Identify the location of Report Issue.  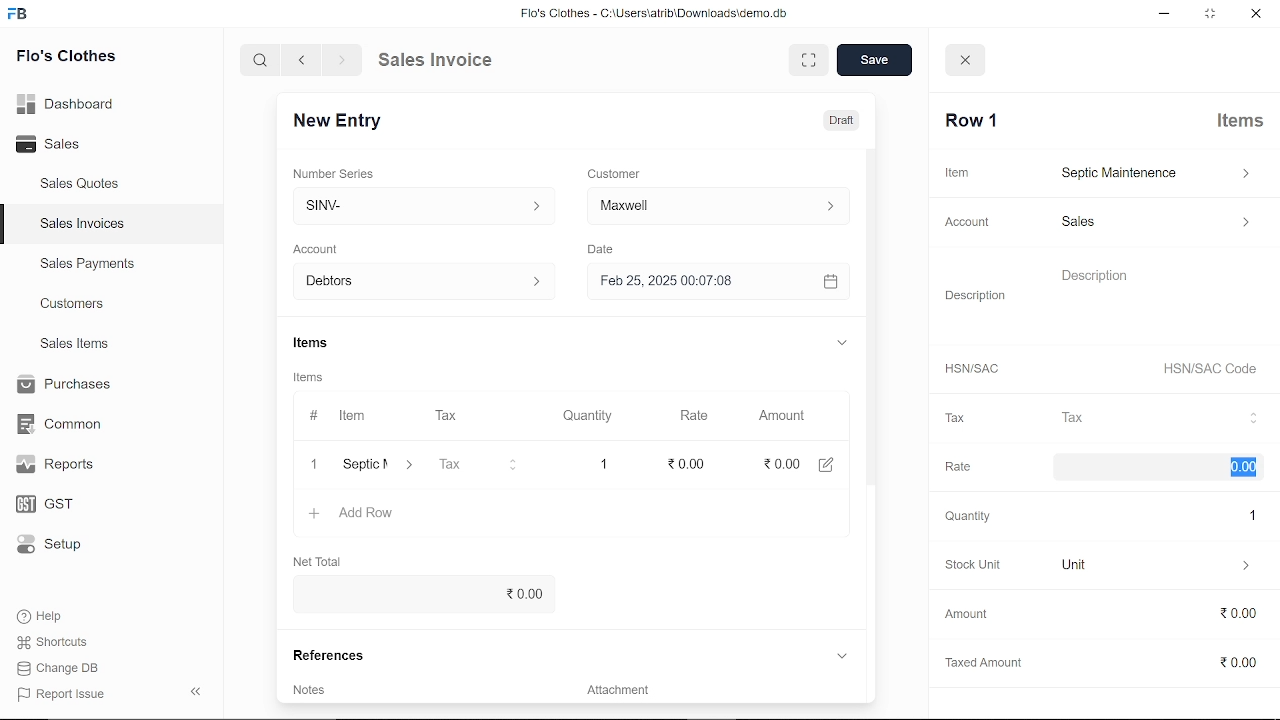
(61, 693).